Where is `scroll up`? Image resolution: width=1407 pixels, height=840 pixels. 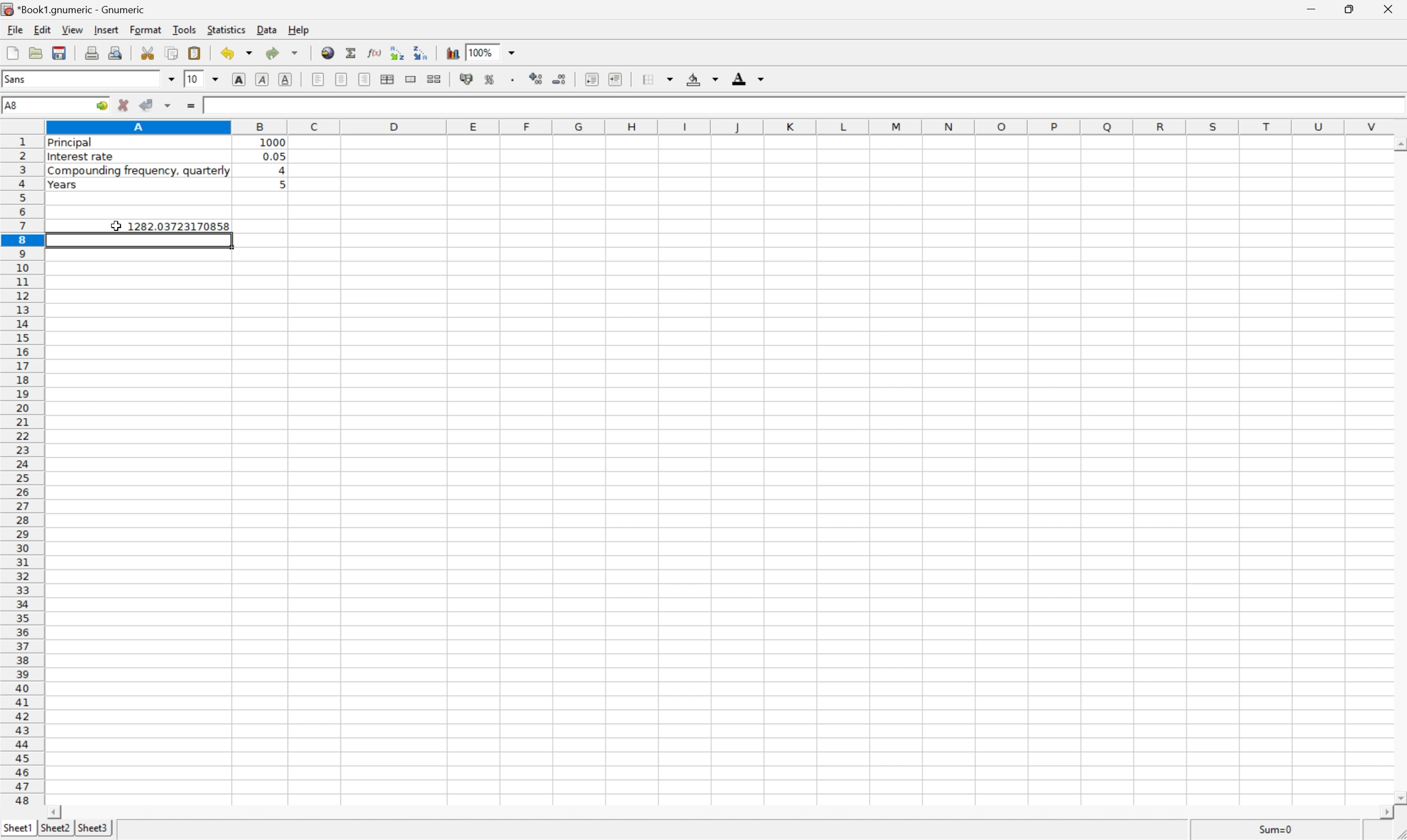 scroll up is located at coordinates (1398, 147).